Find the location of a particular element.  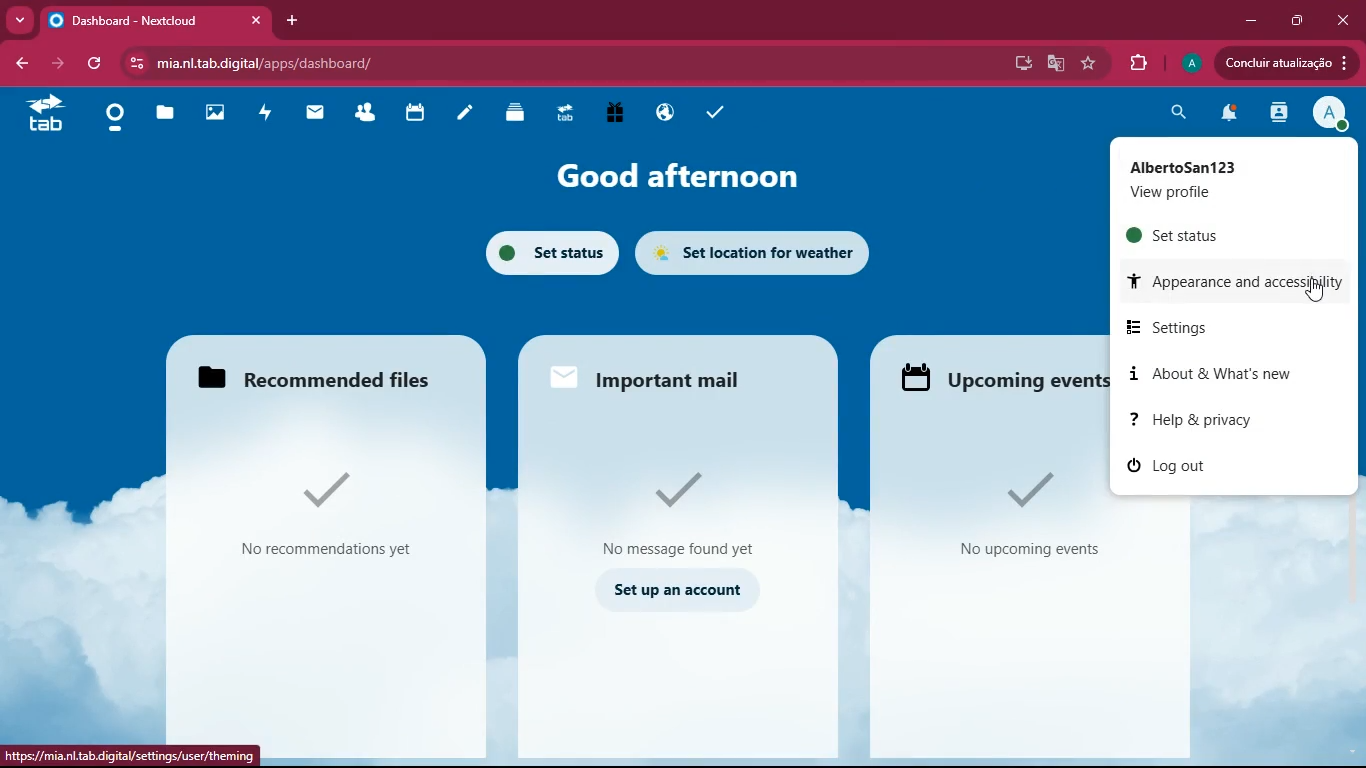

log out is located at coordinates (1217, 465).